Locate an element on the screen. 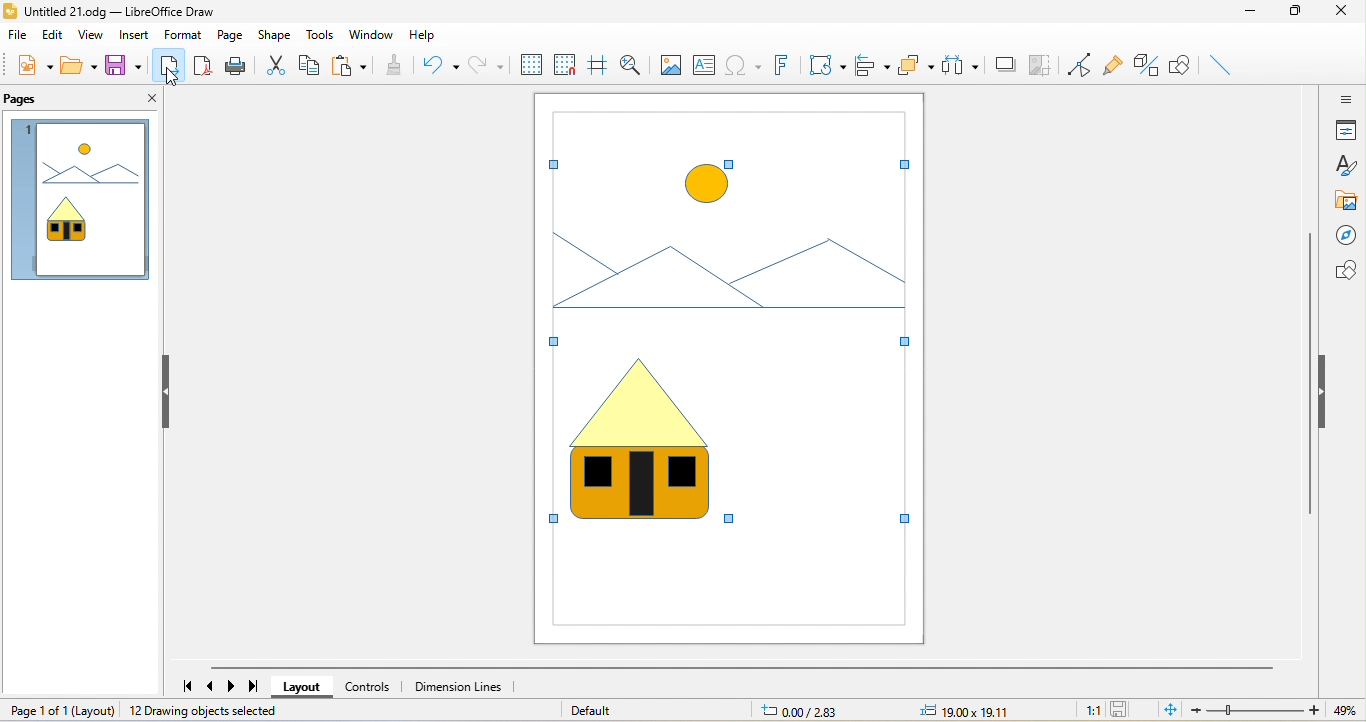 The image size is (1366, 722). snap to grid is located at coordinates (567, 64).